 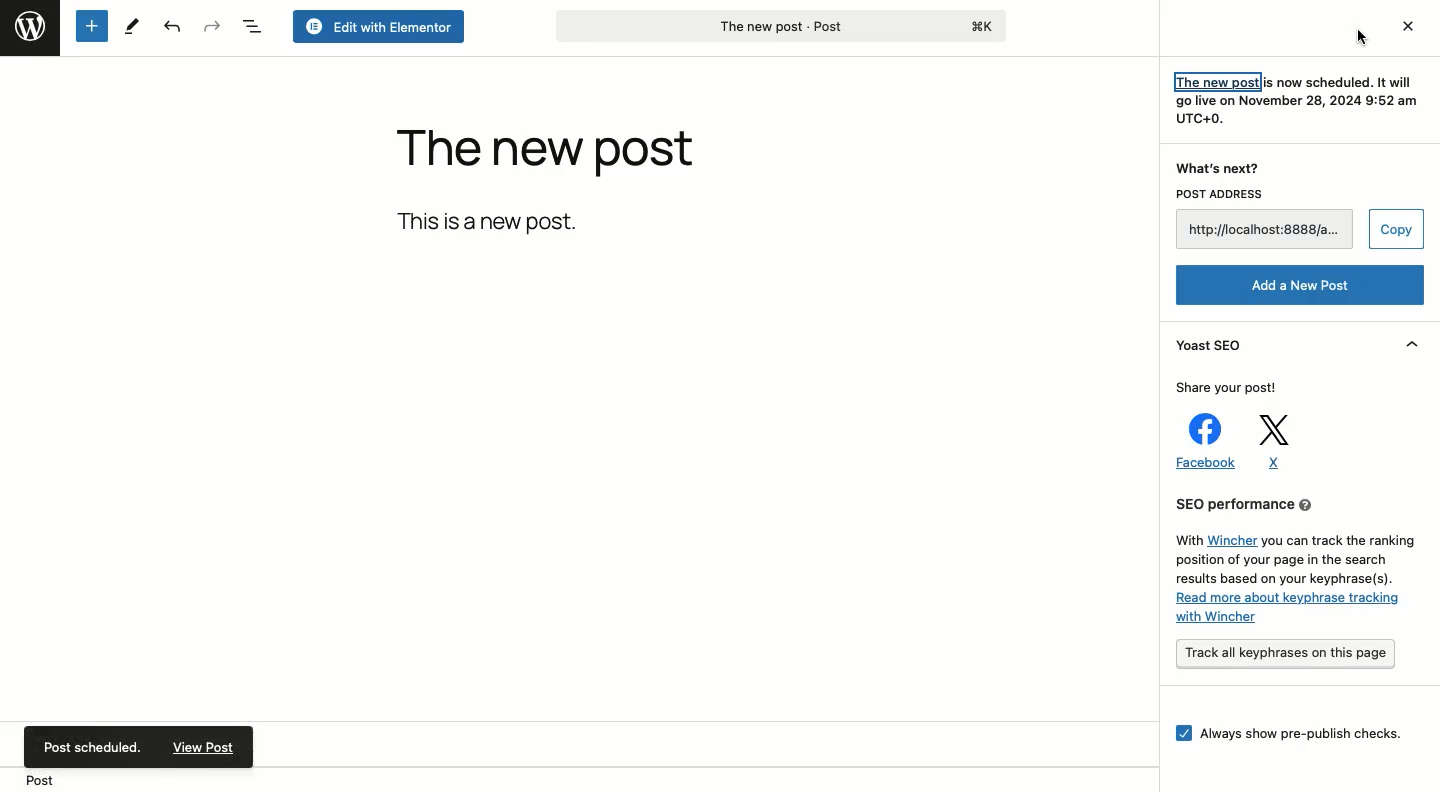 I want to click on Collapse, so click(x=1408, y=345).